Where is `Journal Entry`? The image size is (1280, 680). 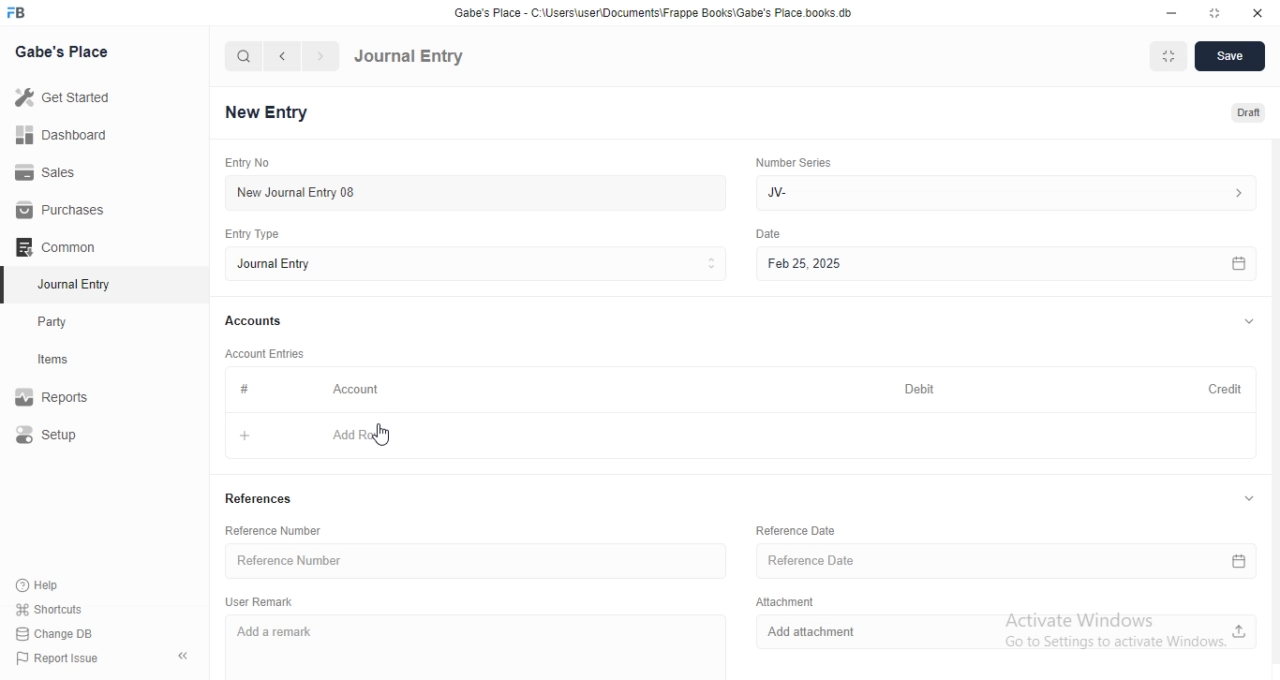 Journal Entry is located at coordinates (71, 284).